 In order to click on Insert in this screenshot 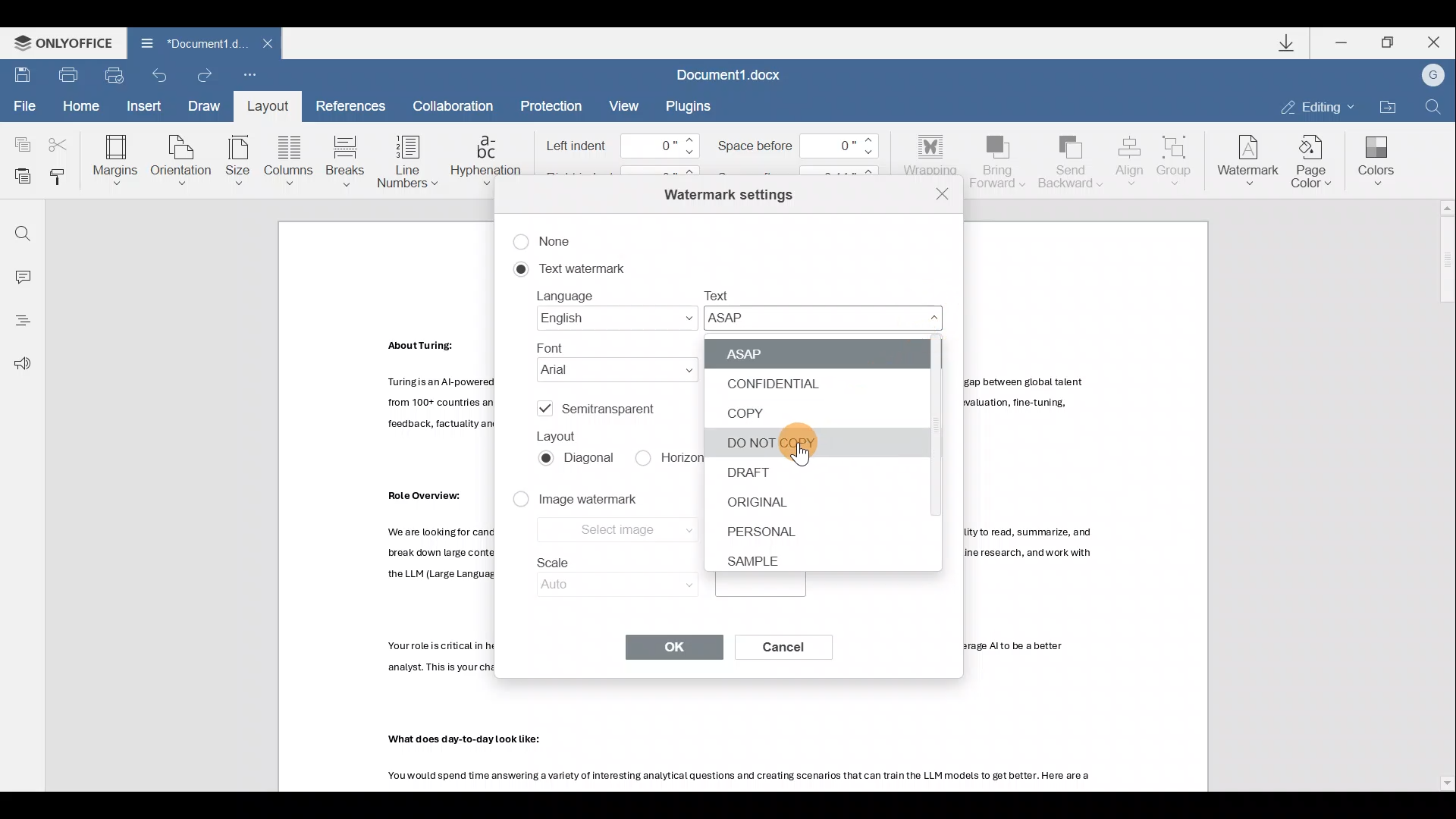, I will do `click(146, 108)`.